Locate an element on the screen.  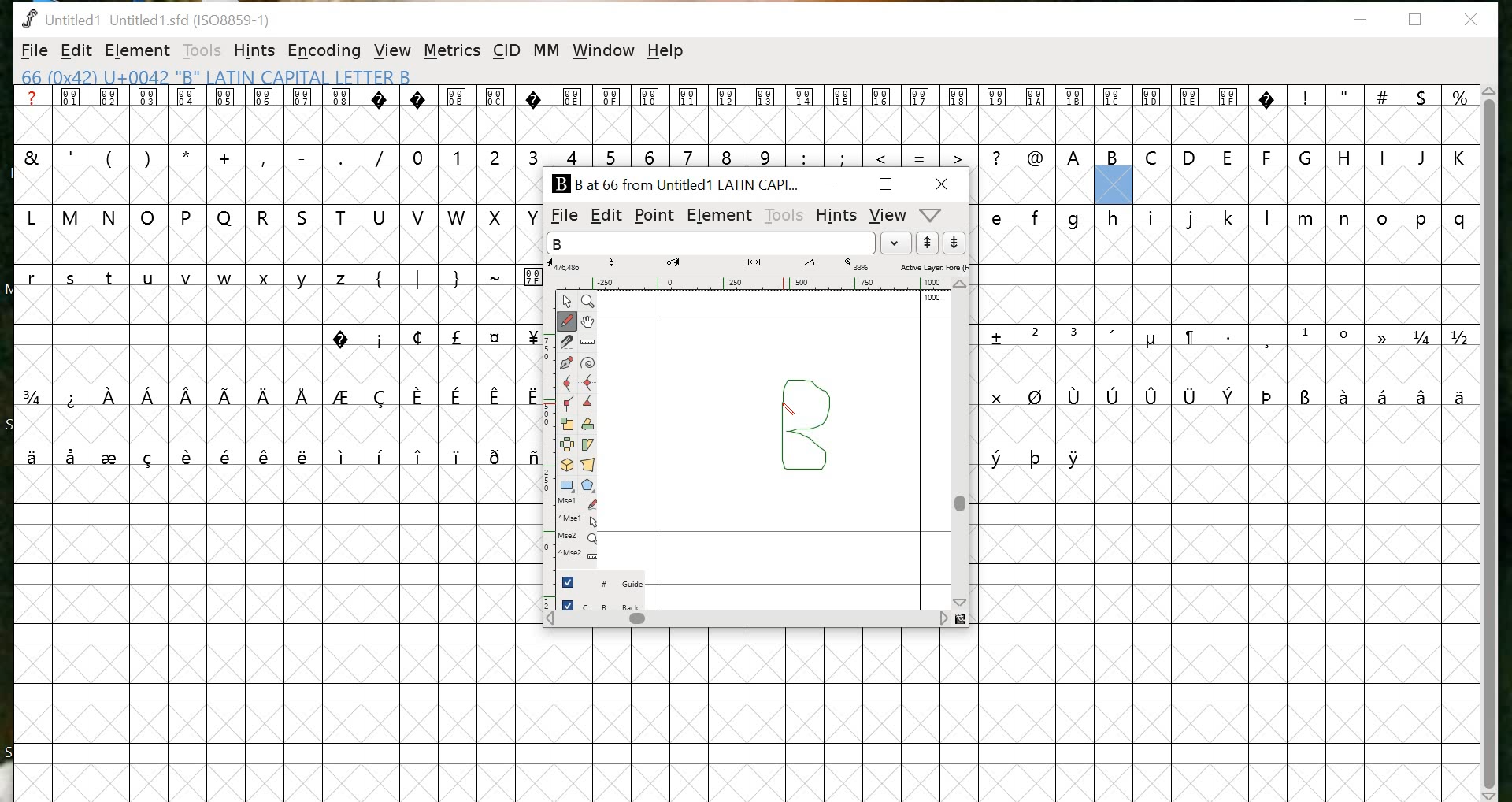
3D rotate is located at coordinates (568, 467).